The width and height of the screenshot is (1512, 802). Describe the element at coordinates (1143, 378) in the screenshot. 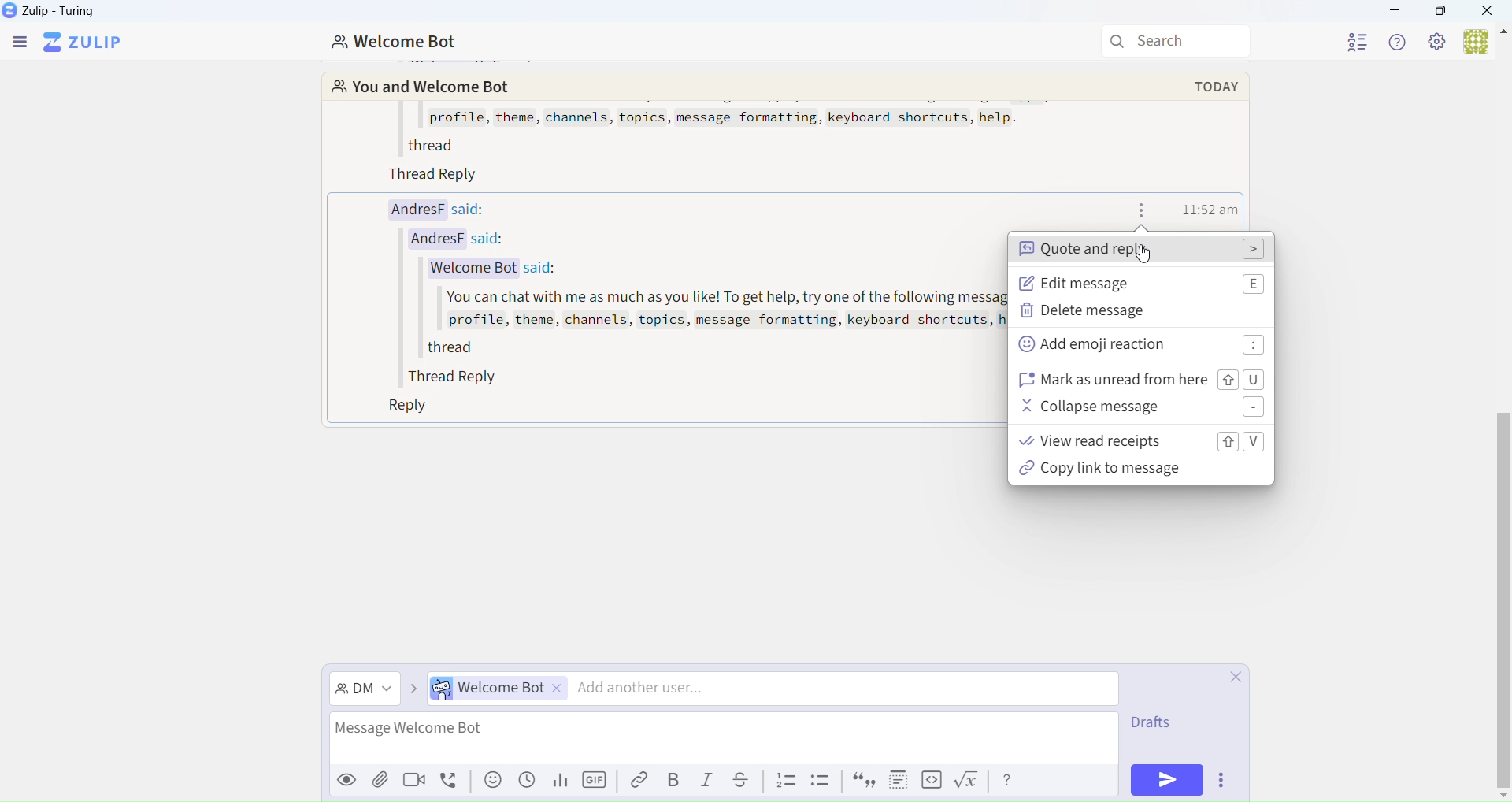

I see `mark as unrerad from here` at that location.